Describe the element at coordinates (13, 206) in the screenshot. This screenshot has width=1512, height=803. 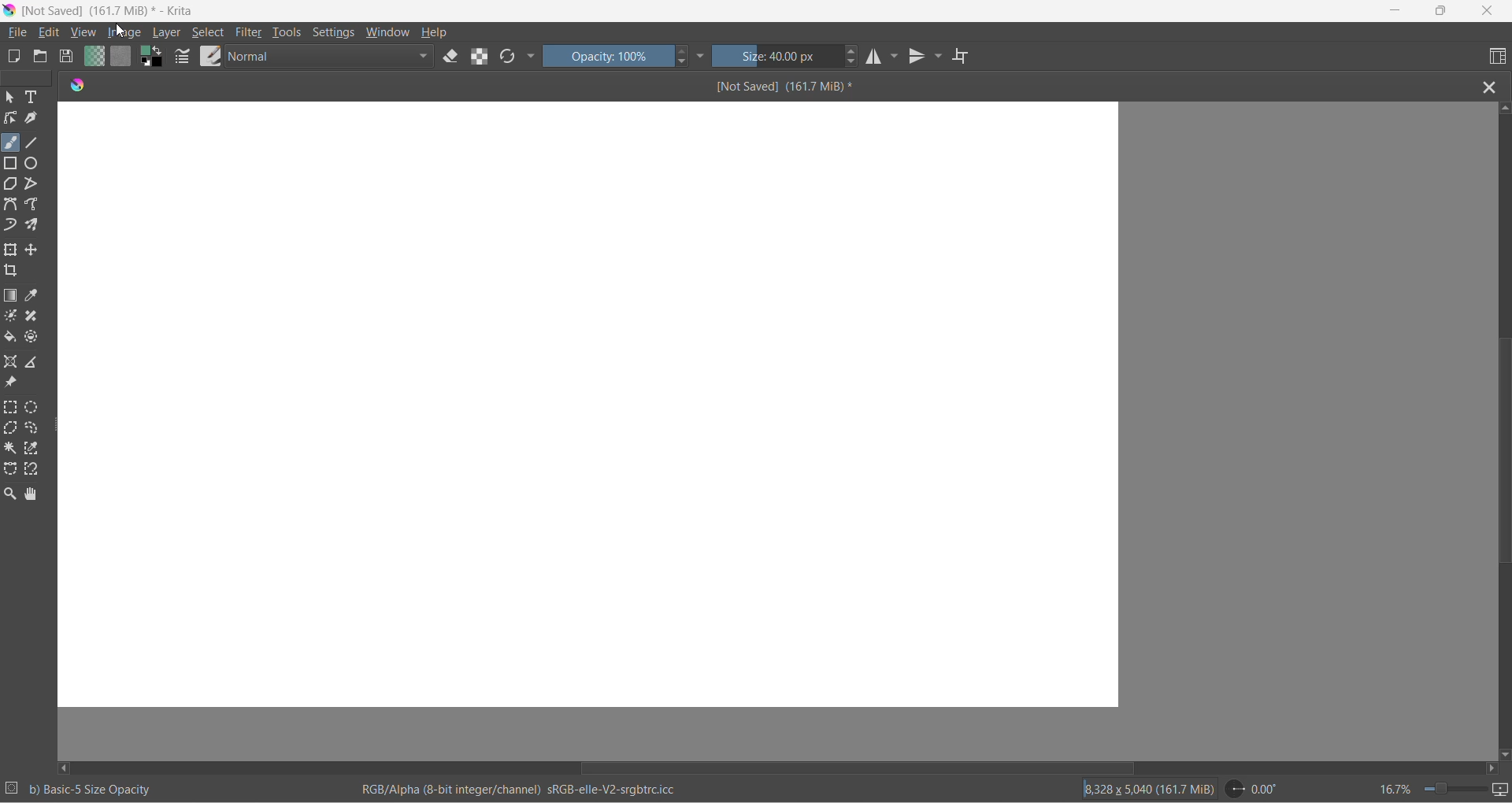
I see `Bezier curve tool ` at that location.